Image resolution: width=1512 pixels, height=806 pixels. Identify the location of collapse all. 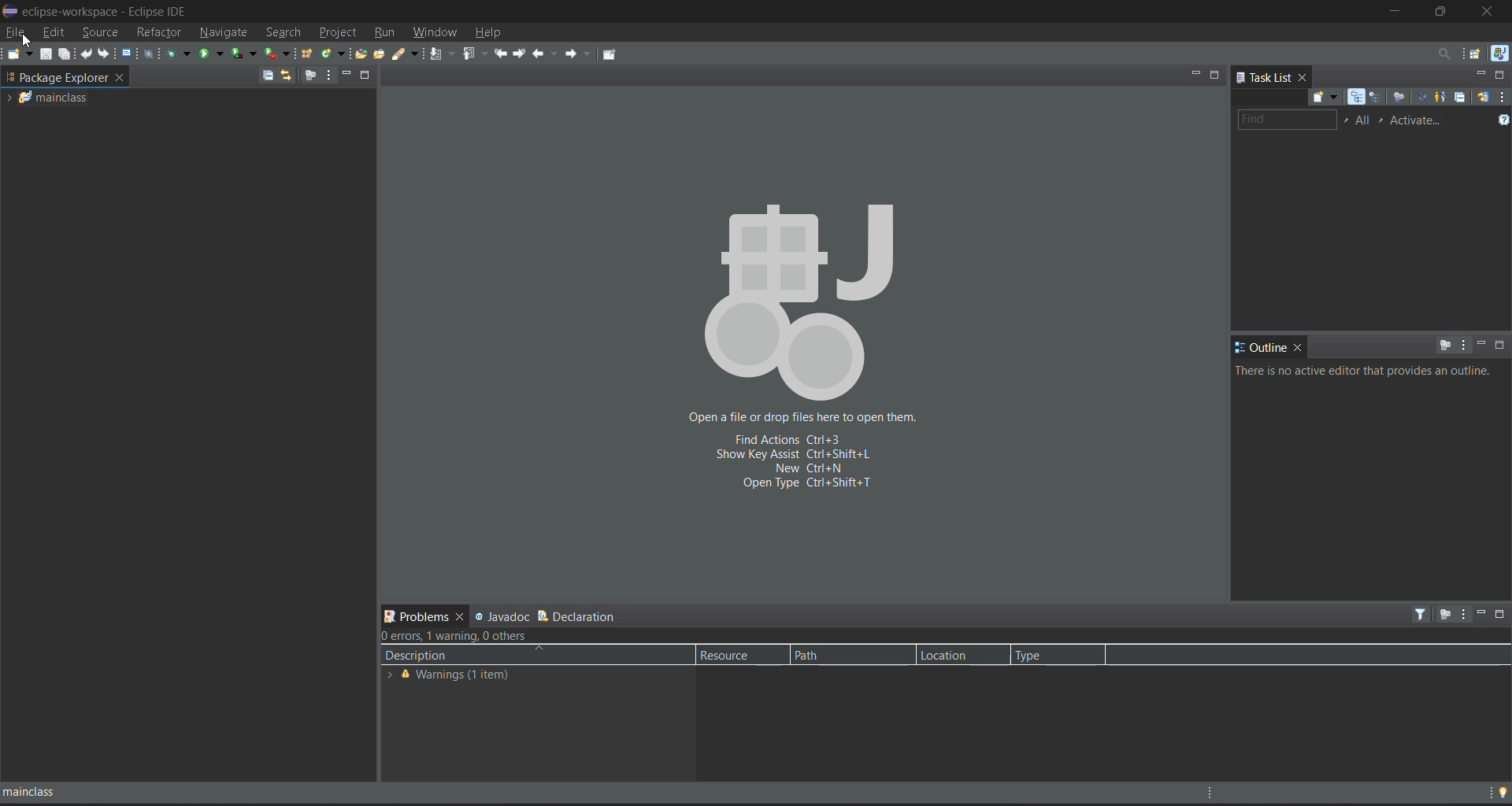
(1462, 98).